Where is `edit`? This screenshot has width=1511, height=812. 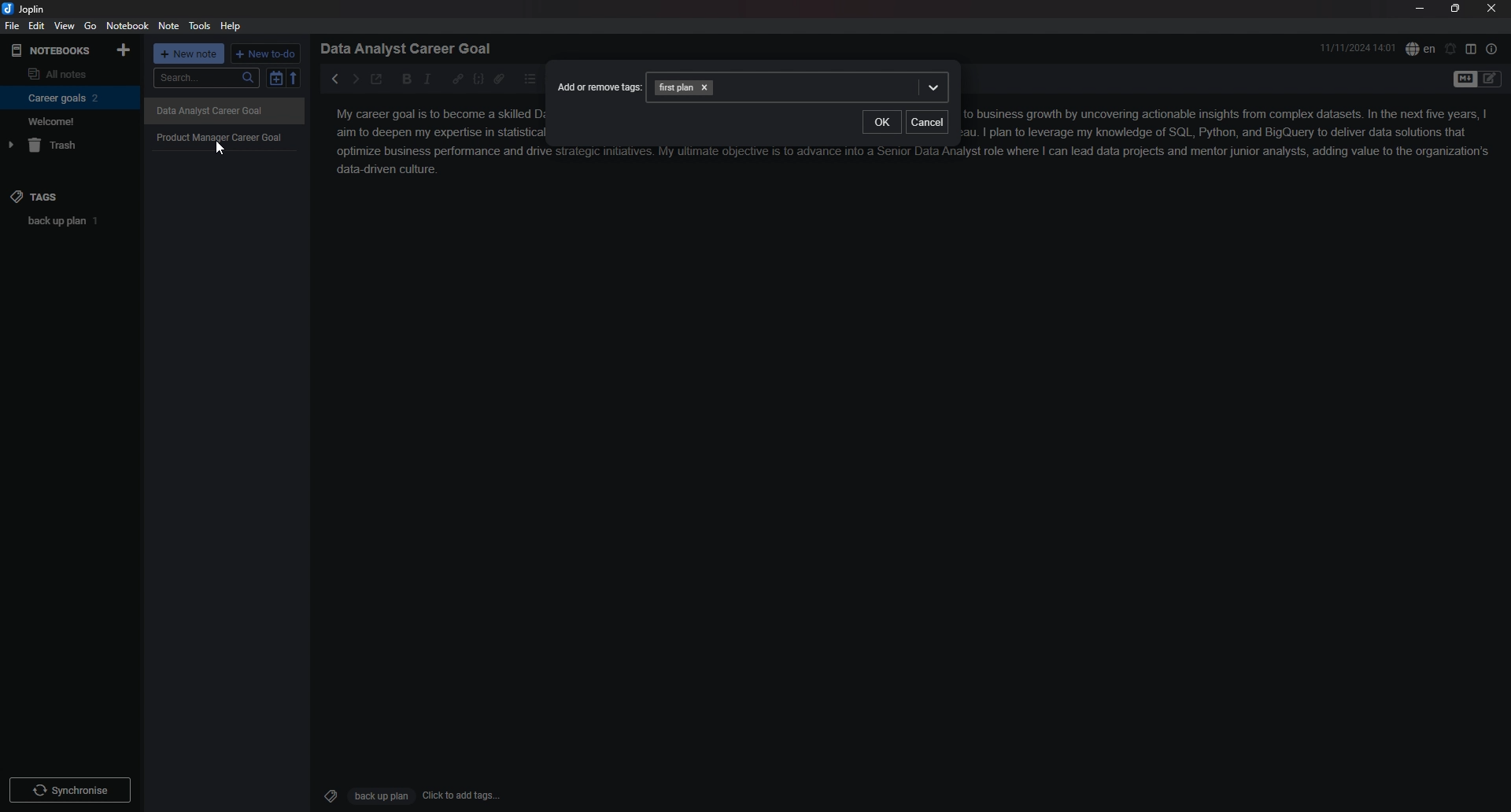
edit is located at coordinates (38, 25).